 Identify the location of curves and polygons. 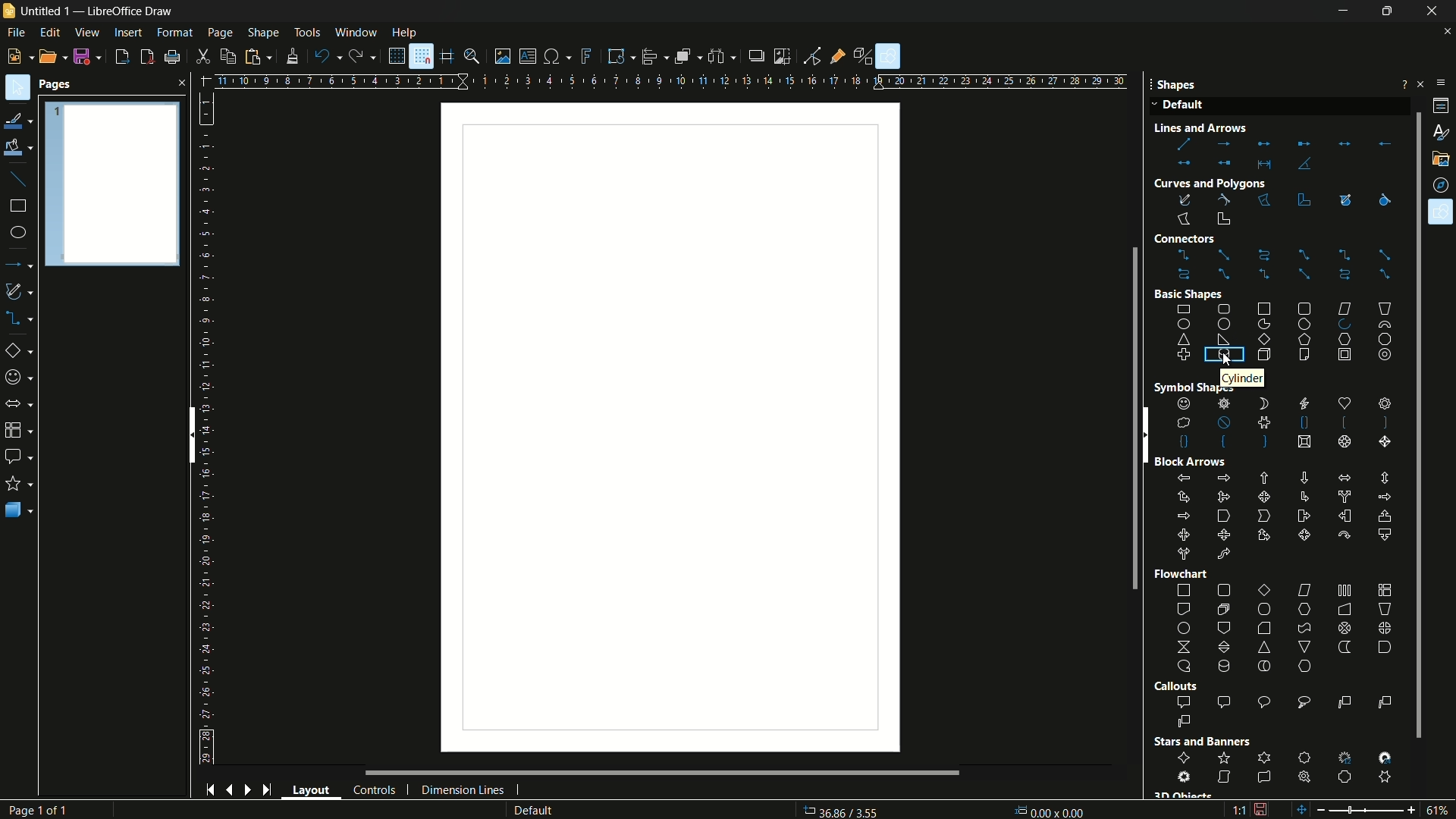
(21, 292).